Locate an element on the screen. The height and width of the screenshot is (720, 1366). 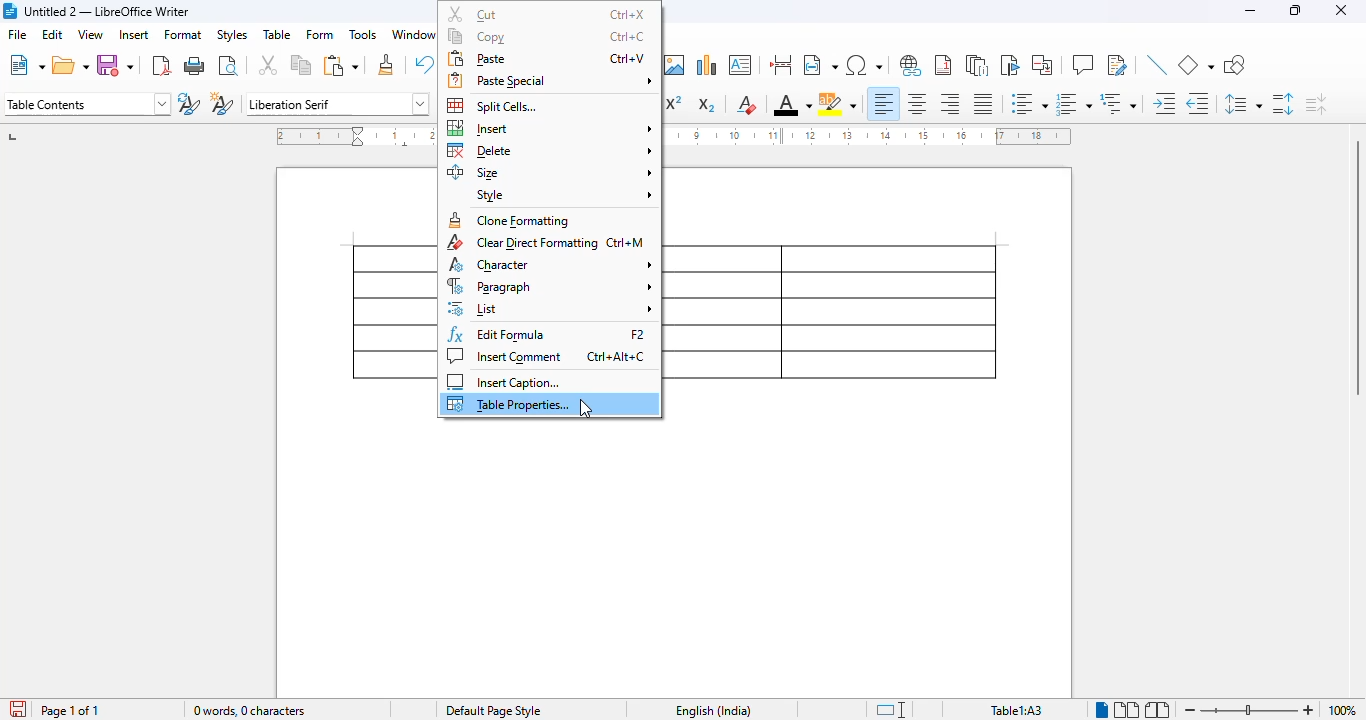
cut is located at coordinates (269, 65).